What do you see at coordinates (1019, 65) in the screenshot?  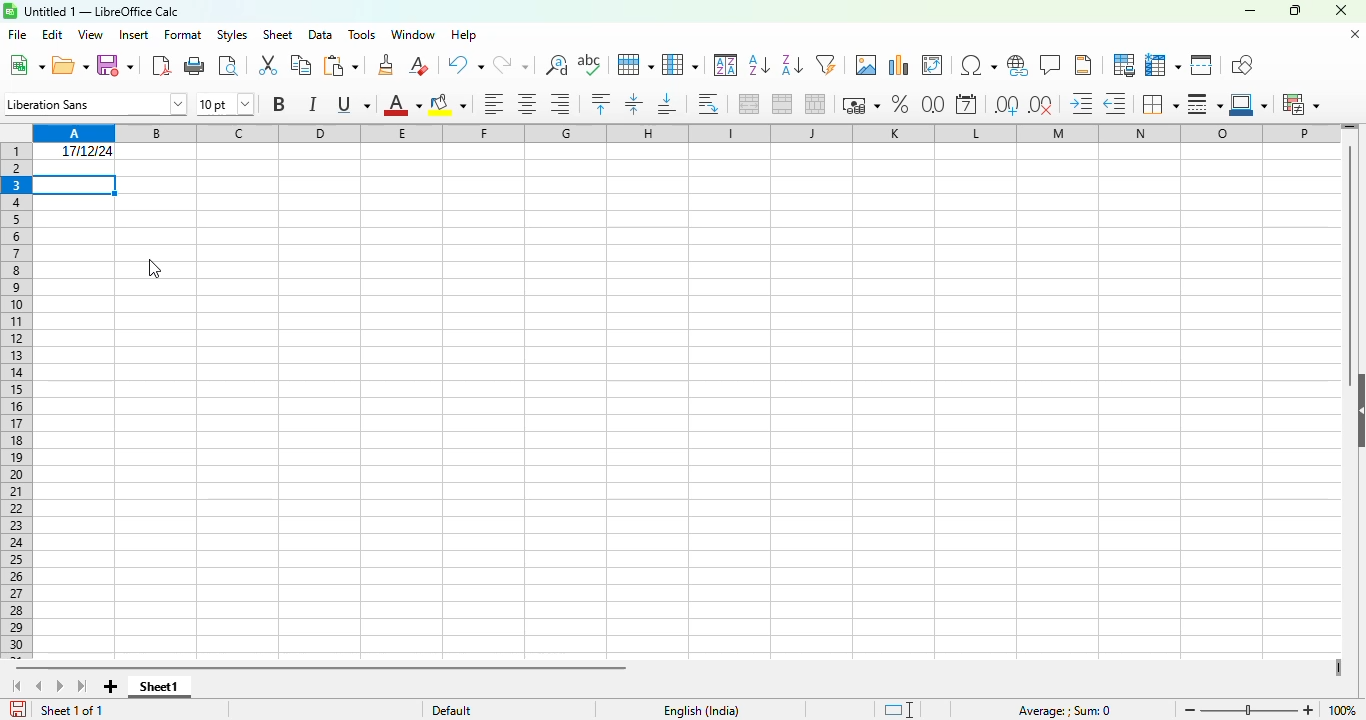 I see `insert hyperlink` at bounding box center [1019, 65].